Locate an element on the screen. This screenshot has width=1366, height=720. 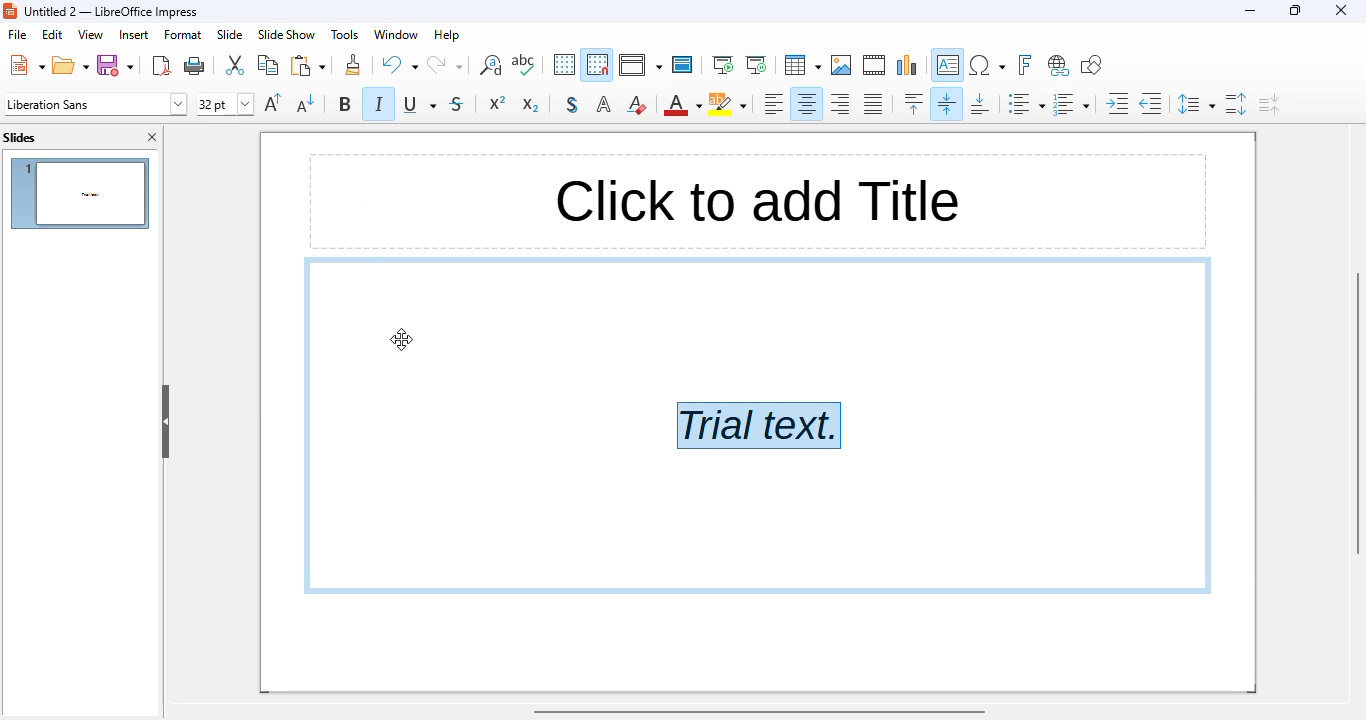
display views is located at coordinates (639, 65).